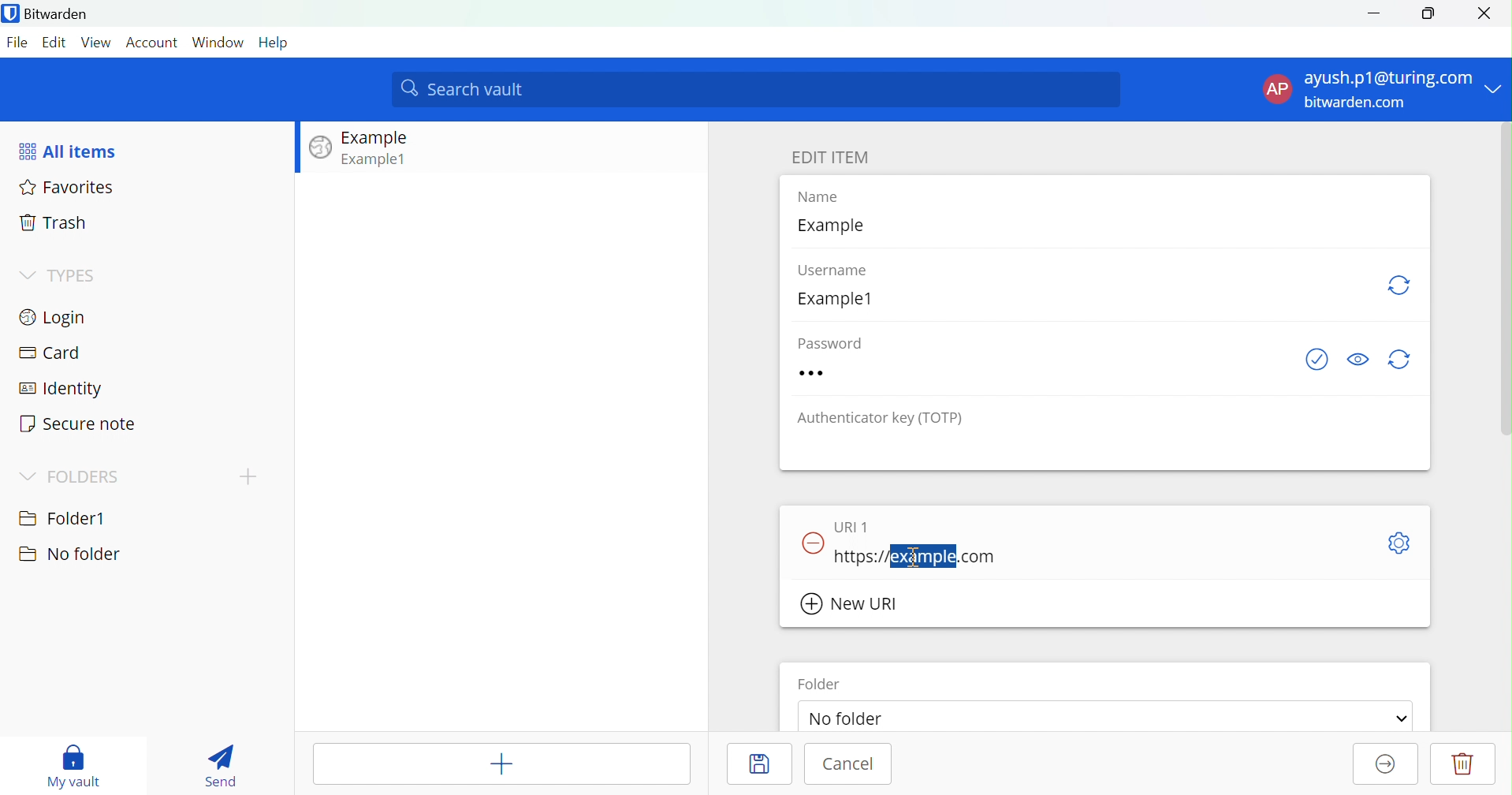  Describe the element at coordinates (56, 316) in the screenshot. I see `Login` at that location.